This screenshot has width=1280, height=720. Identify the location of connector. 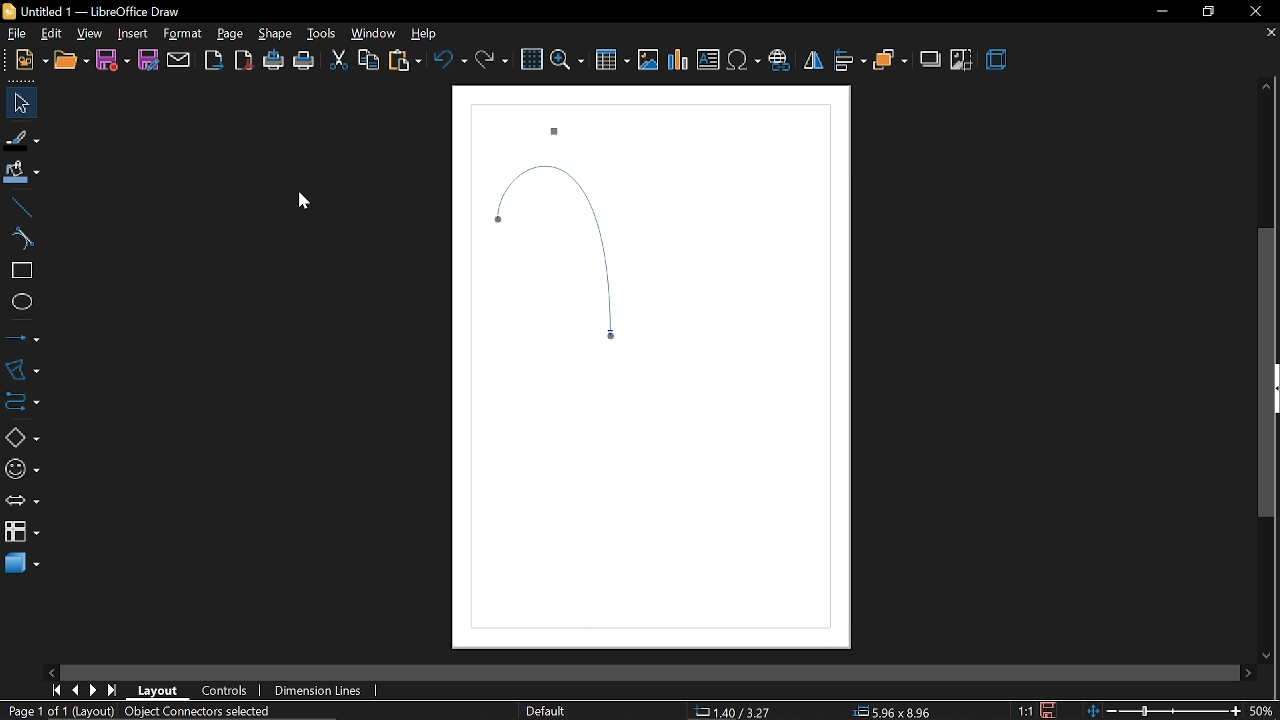
(19, 399).